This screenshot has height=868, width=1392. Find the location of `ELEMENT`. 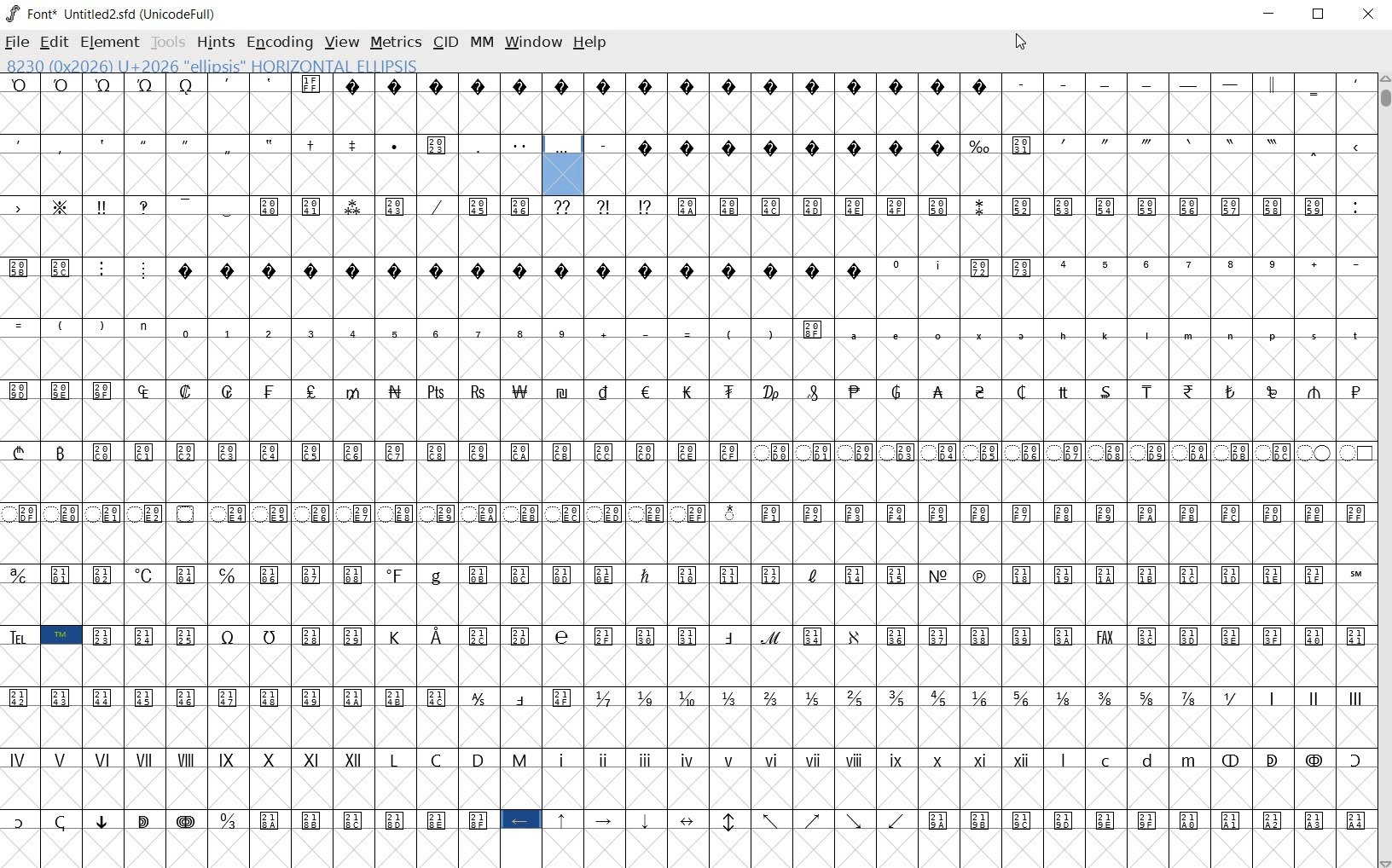

ELEMENT is located at coordinates (112, 42).